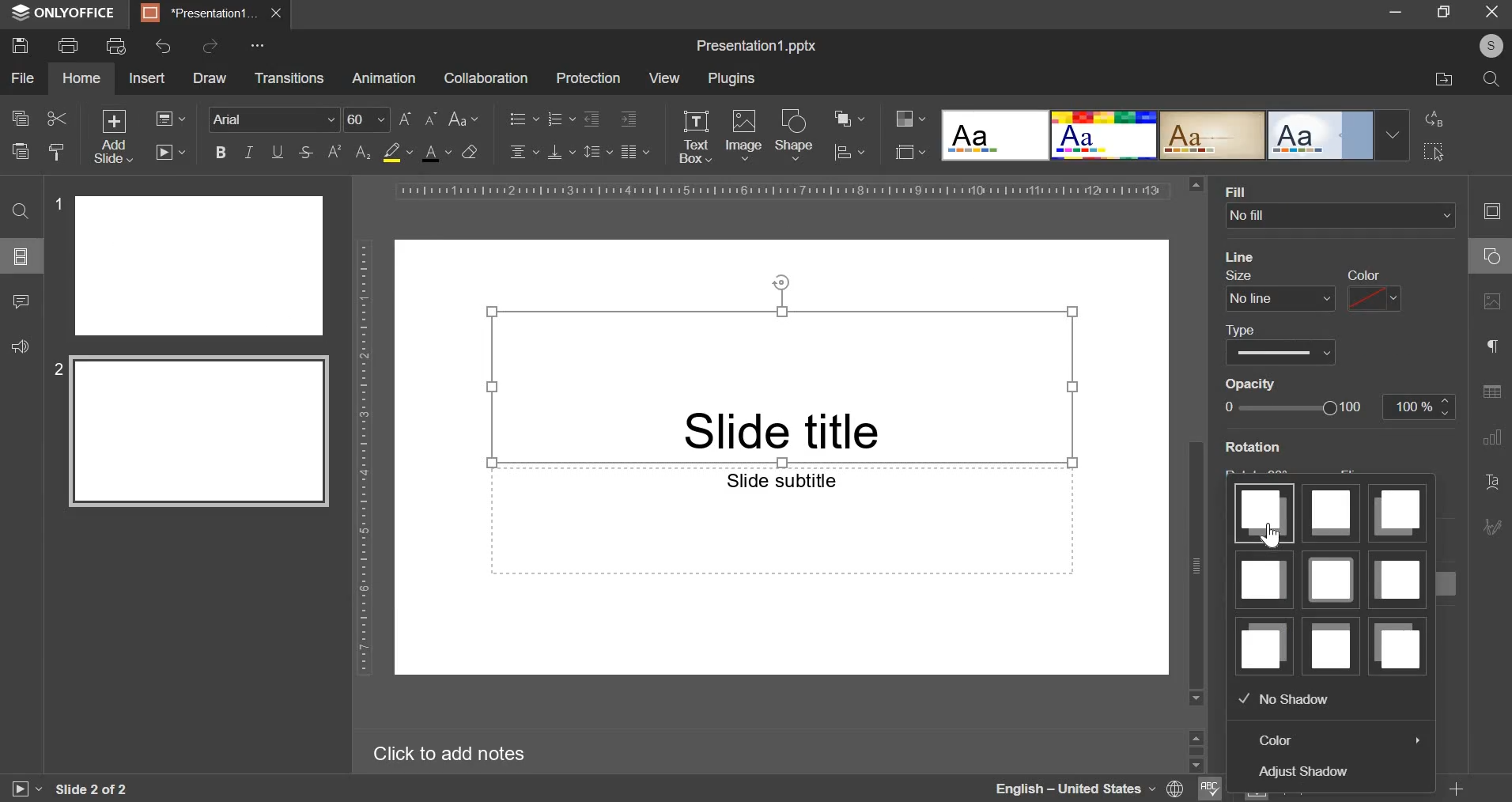  Describe the element at coordinates (169, 151) in the screenshot. I see `slideshow` at that location.